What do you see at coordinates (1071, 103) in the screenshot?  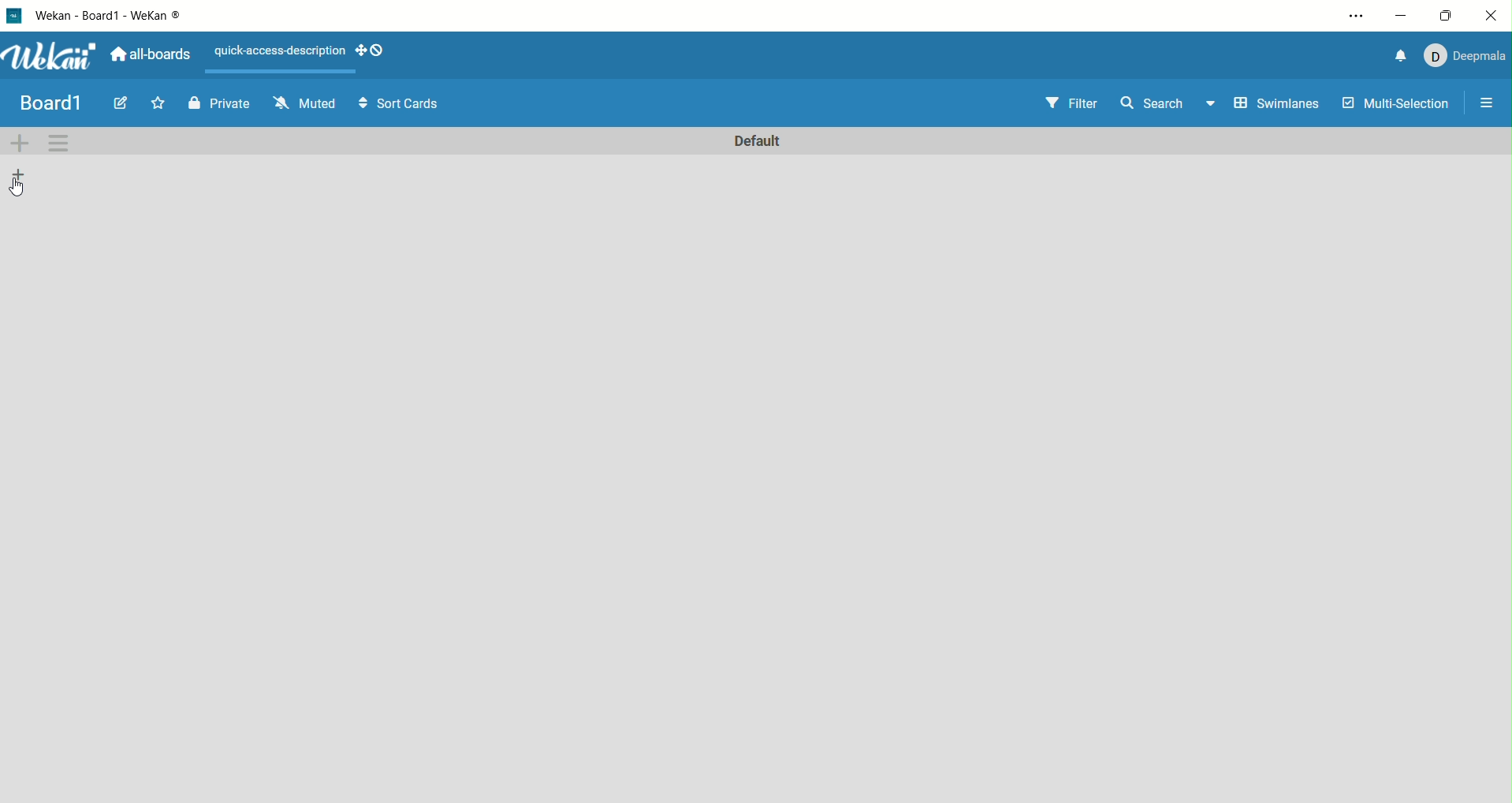 I see `filter` at bounding box center [1071, 103].